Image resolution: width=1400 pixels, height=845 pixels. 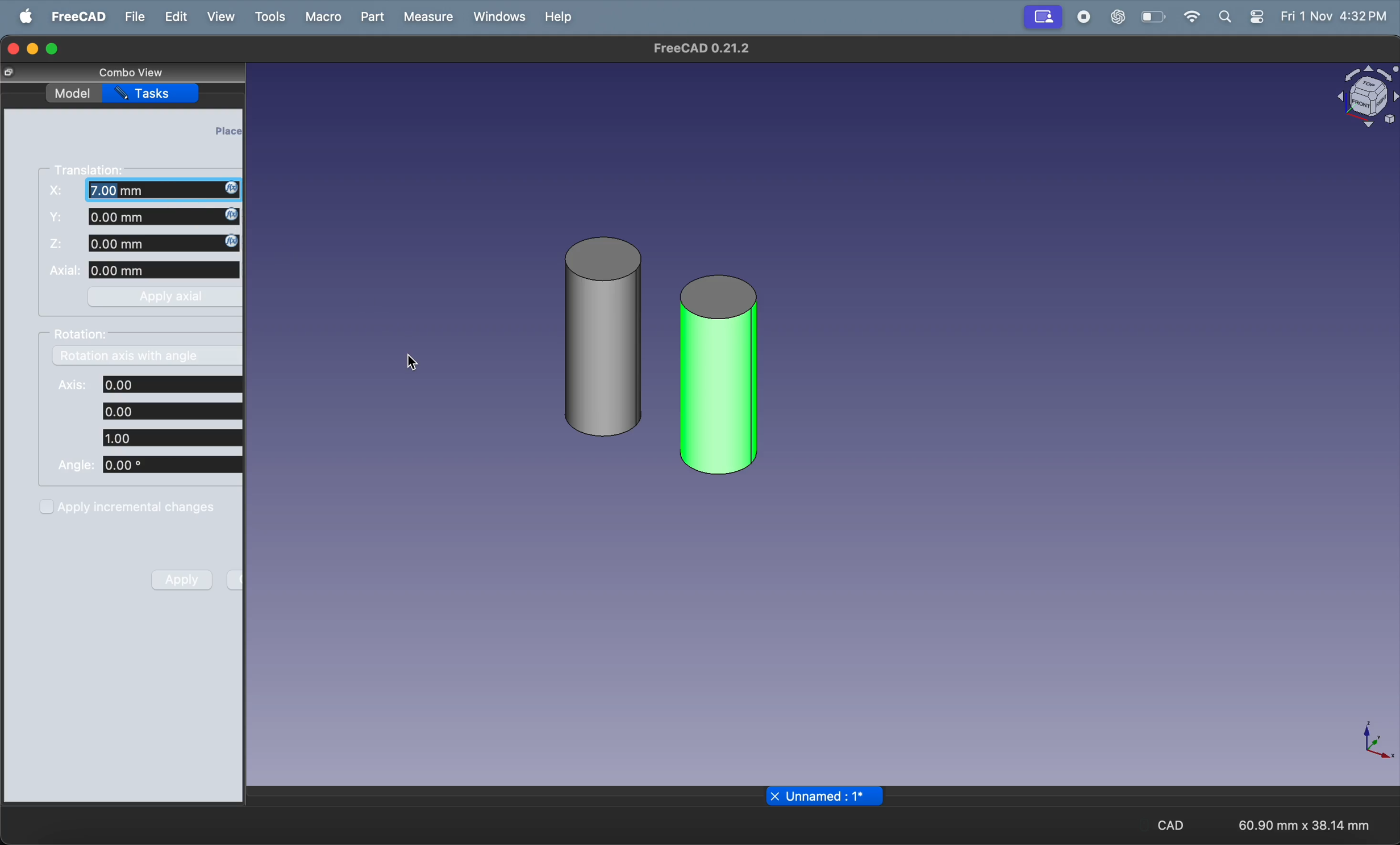 I want to click on measure, so click(x=427, y=16).